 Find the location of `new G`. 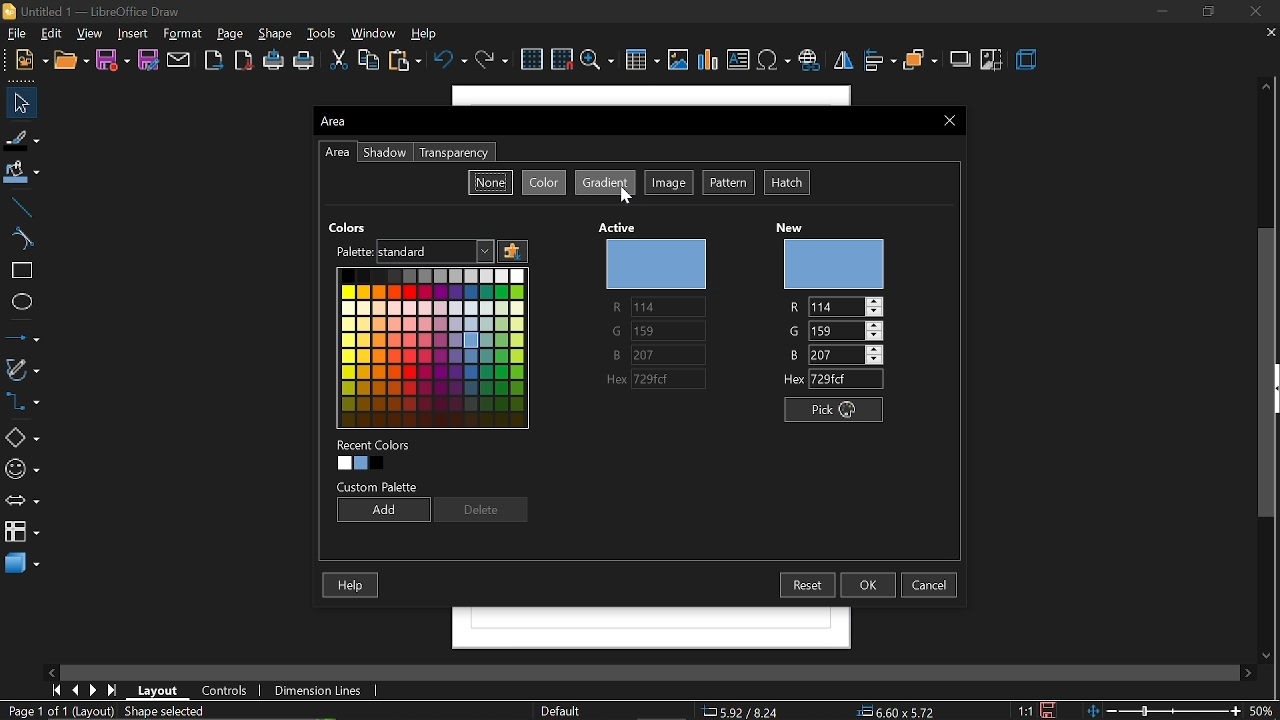

new G is located at coordinates (834, 330).